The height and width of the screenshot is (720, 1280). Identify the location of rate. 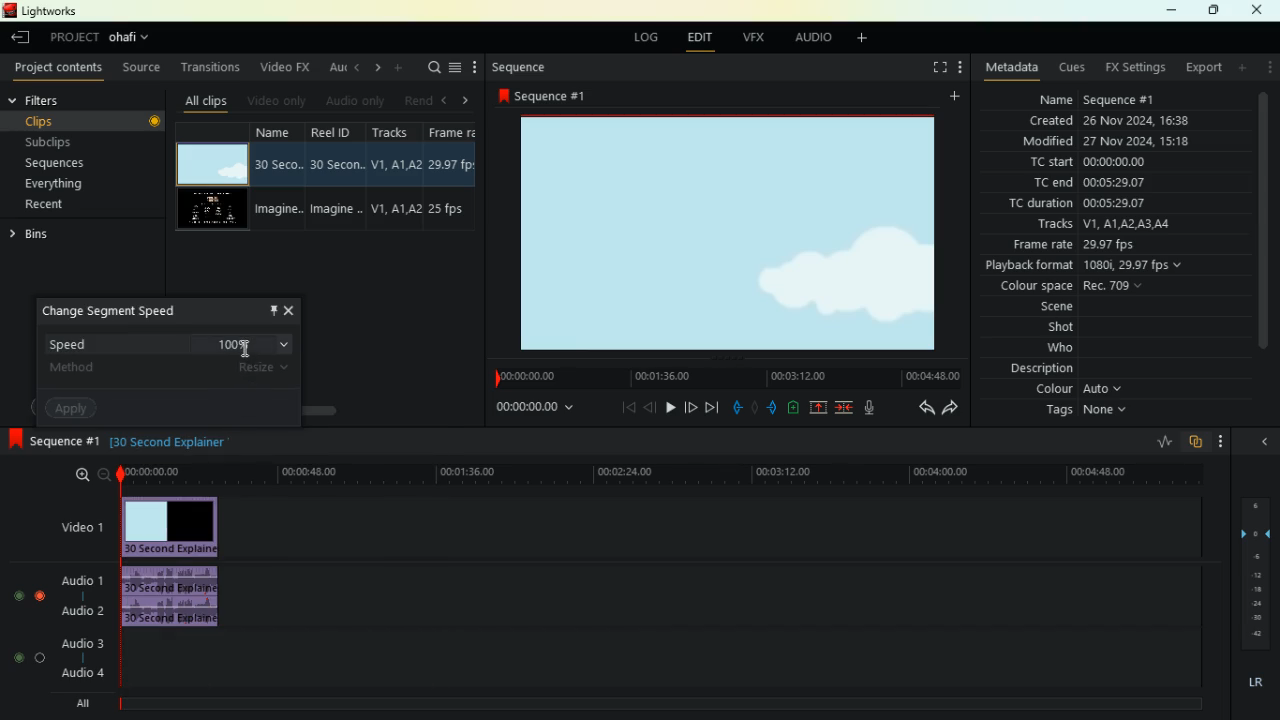
(1157, 443).